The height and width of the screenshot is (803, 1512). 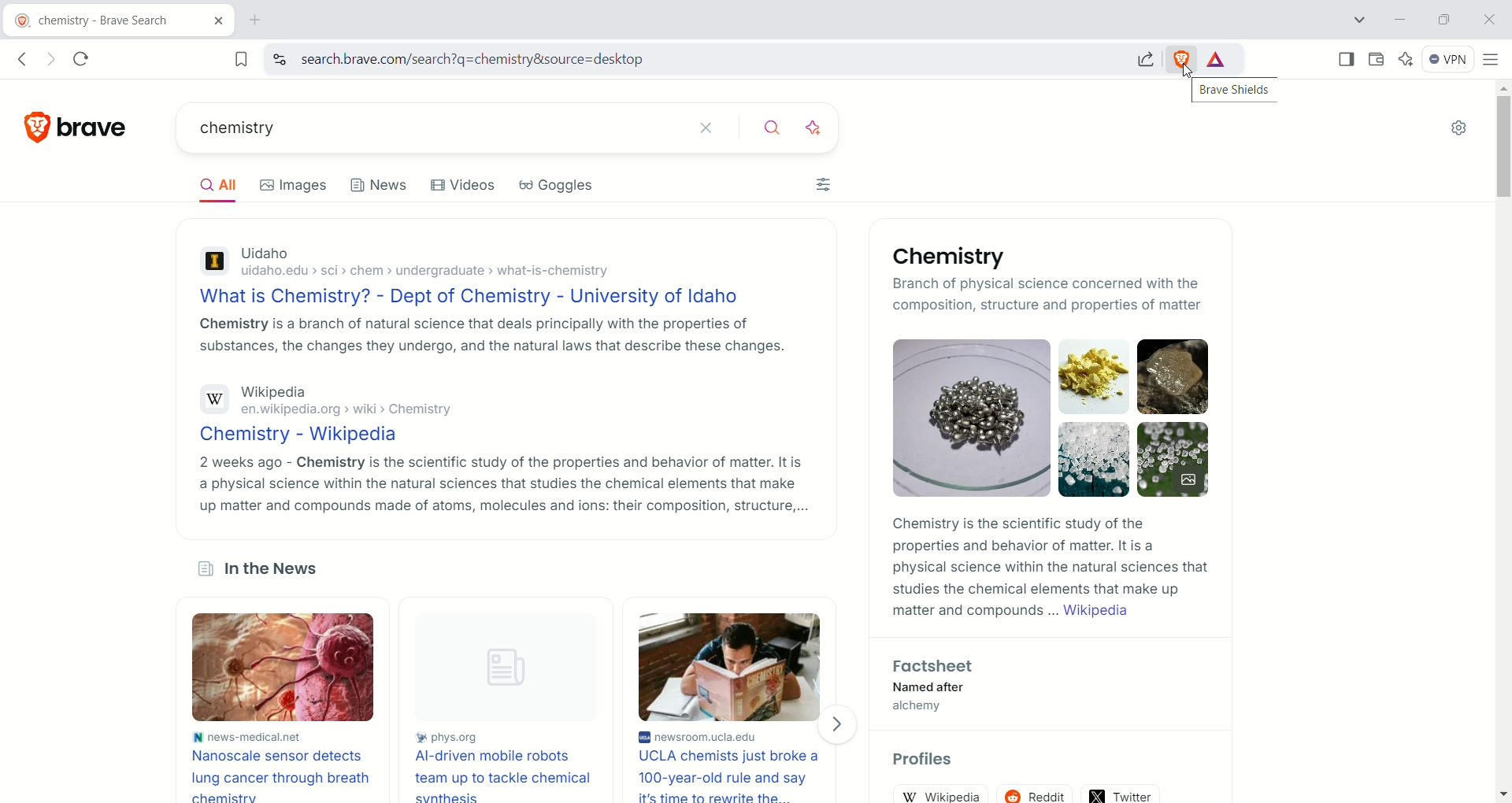 I want to click on show sidebar, so click(x=1344, y=59).